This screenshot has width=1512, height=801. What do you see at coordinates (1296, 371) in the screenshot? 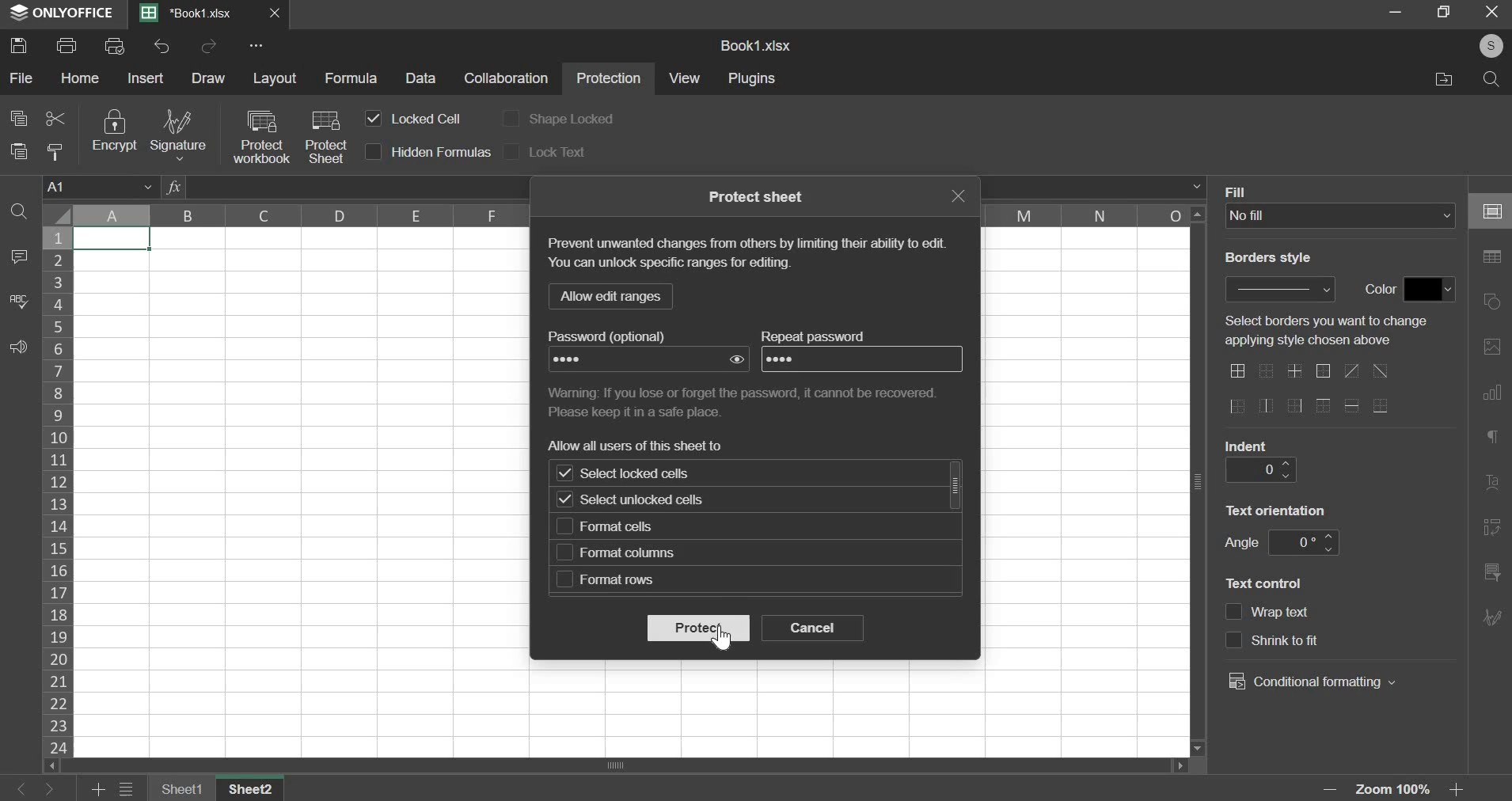
I see `border options` at bounding box center [1296, 371].